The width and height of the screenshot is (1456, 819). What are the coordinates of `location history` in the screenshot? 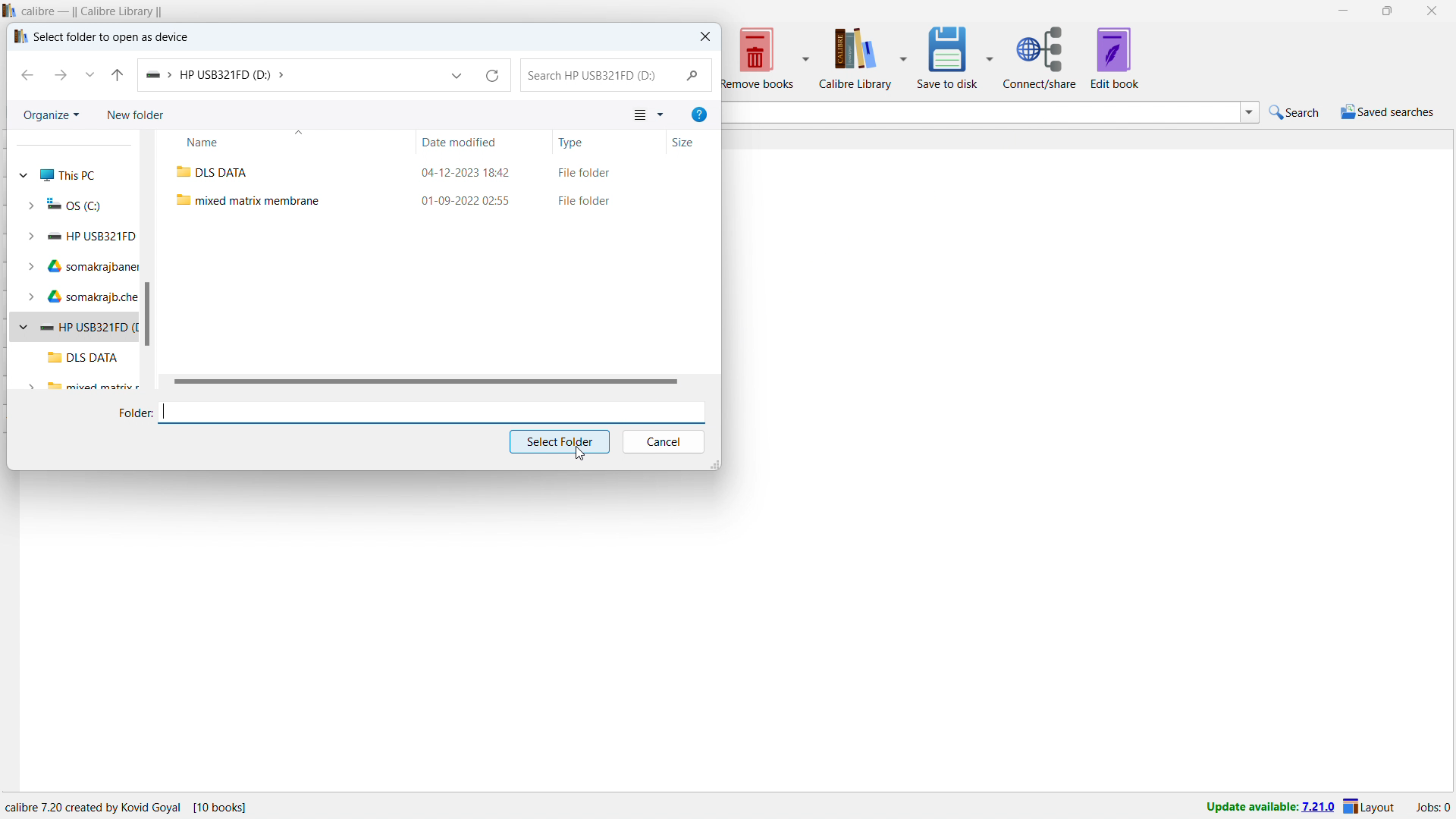 It's located at (457, 76).